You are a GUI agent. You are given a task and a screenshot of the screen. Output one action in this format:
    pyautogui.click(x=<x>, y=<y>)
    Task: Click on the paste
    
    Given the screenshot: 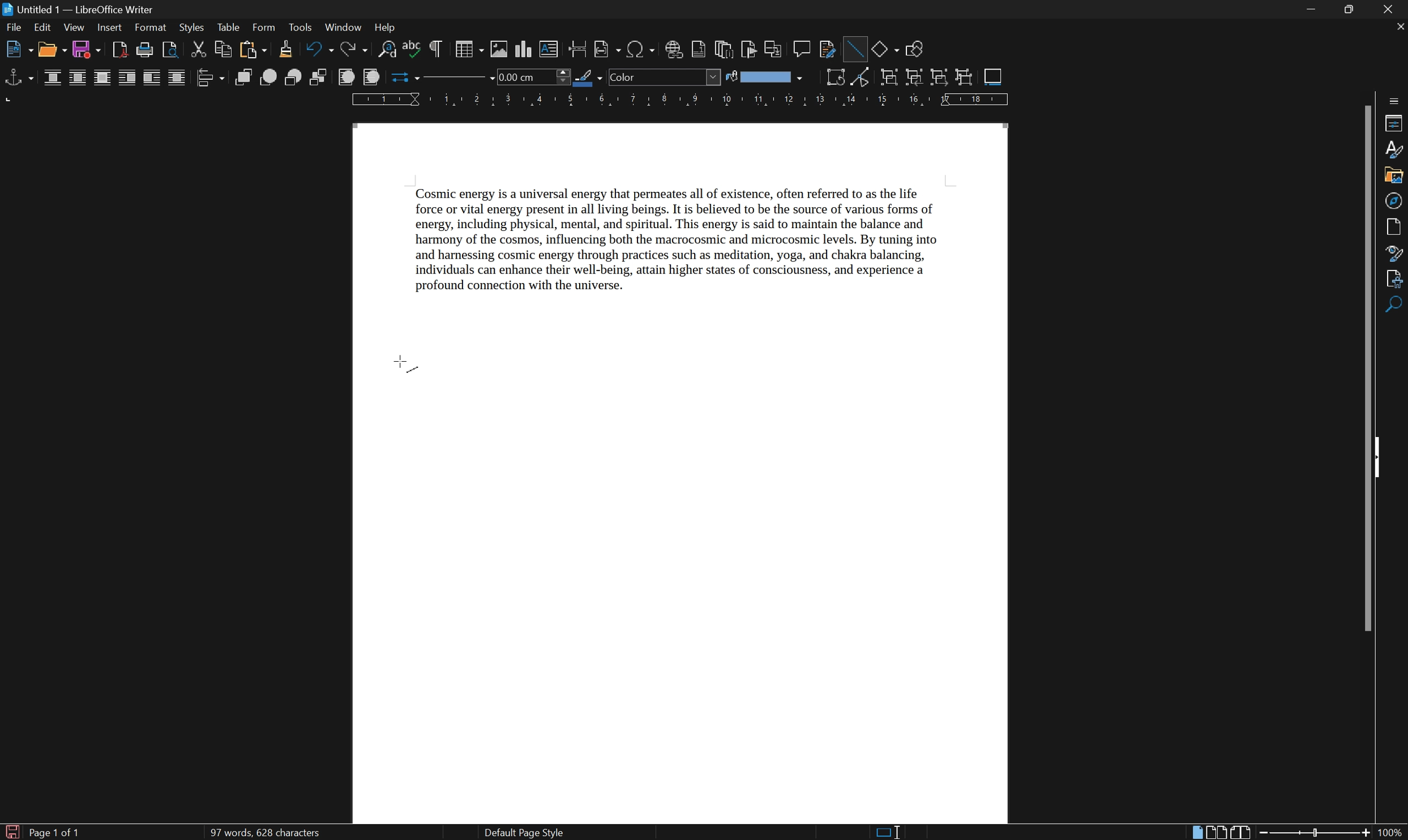 What is the action you would take?
    pyautogui.click(x=251, y=50)
    